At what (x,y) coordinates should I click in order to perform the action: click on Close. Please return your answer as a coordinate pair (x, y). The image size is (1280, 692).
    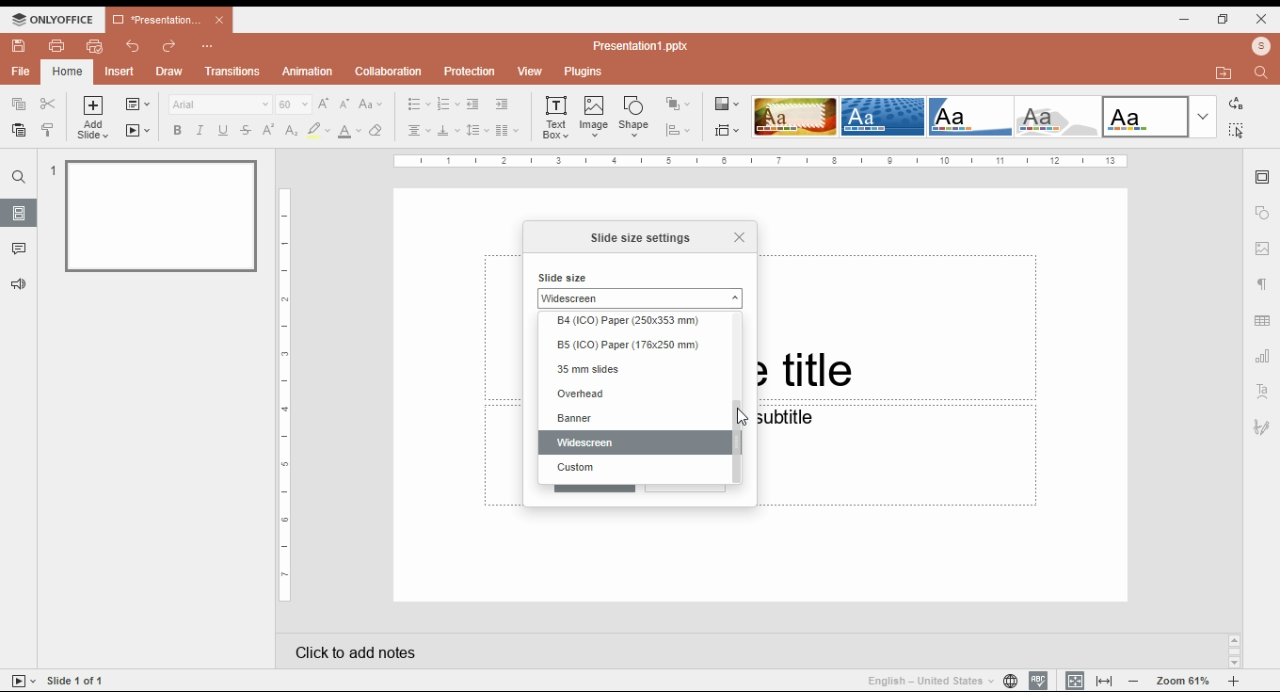
    Looking at the image, I should click on (738, 235).